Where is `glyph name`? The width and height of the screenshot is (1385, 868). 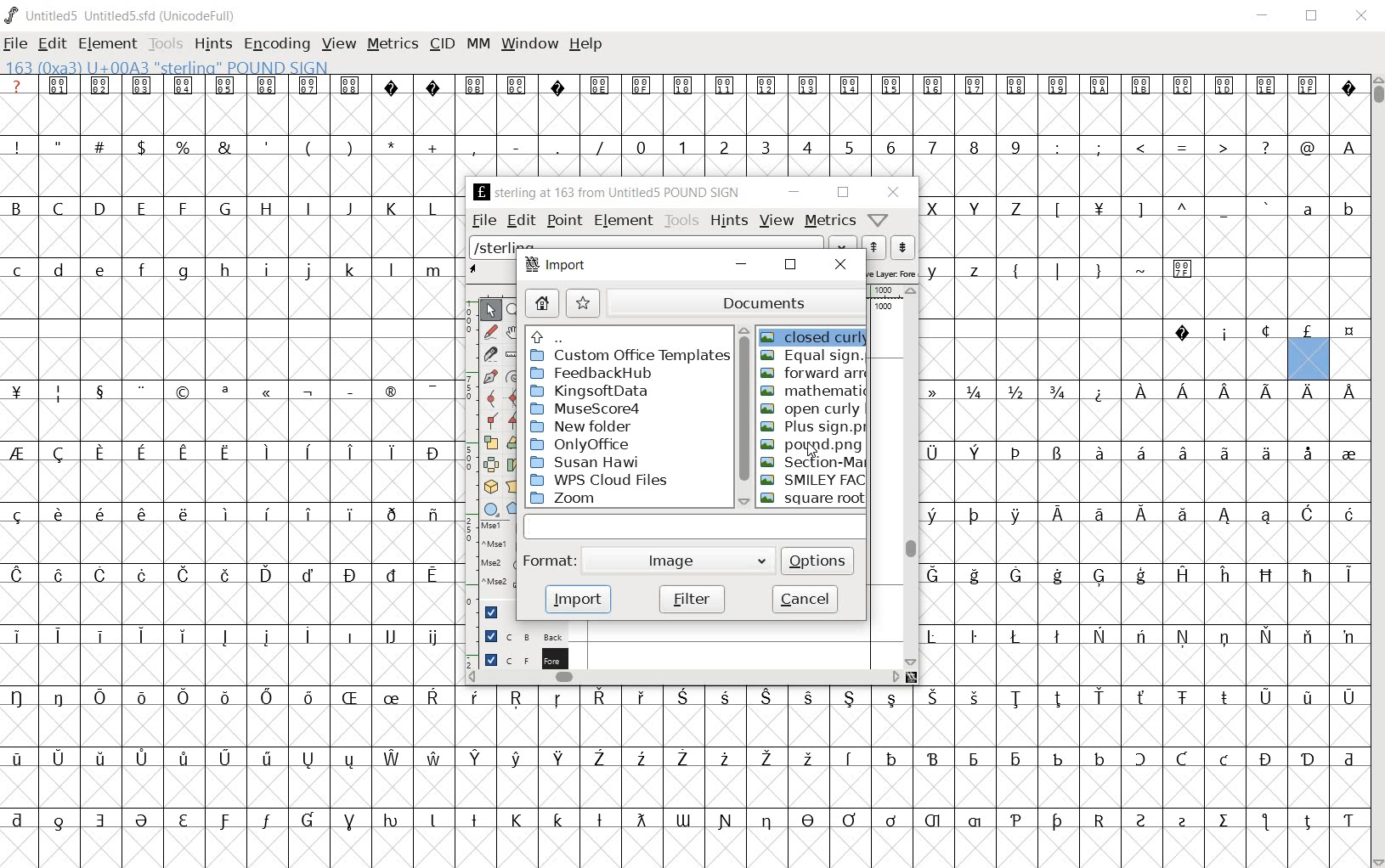
glyph name is located at coordinates (604, 192).